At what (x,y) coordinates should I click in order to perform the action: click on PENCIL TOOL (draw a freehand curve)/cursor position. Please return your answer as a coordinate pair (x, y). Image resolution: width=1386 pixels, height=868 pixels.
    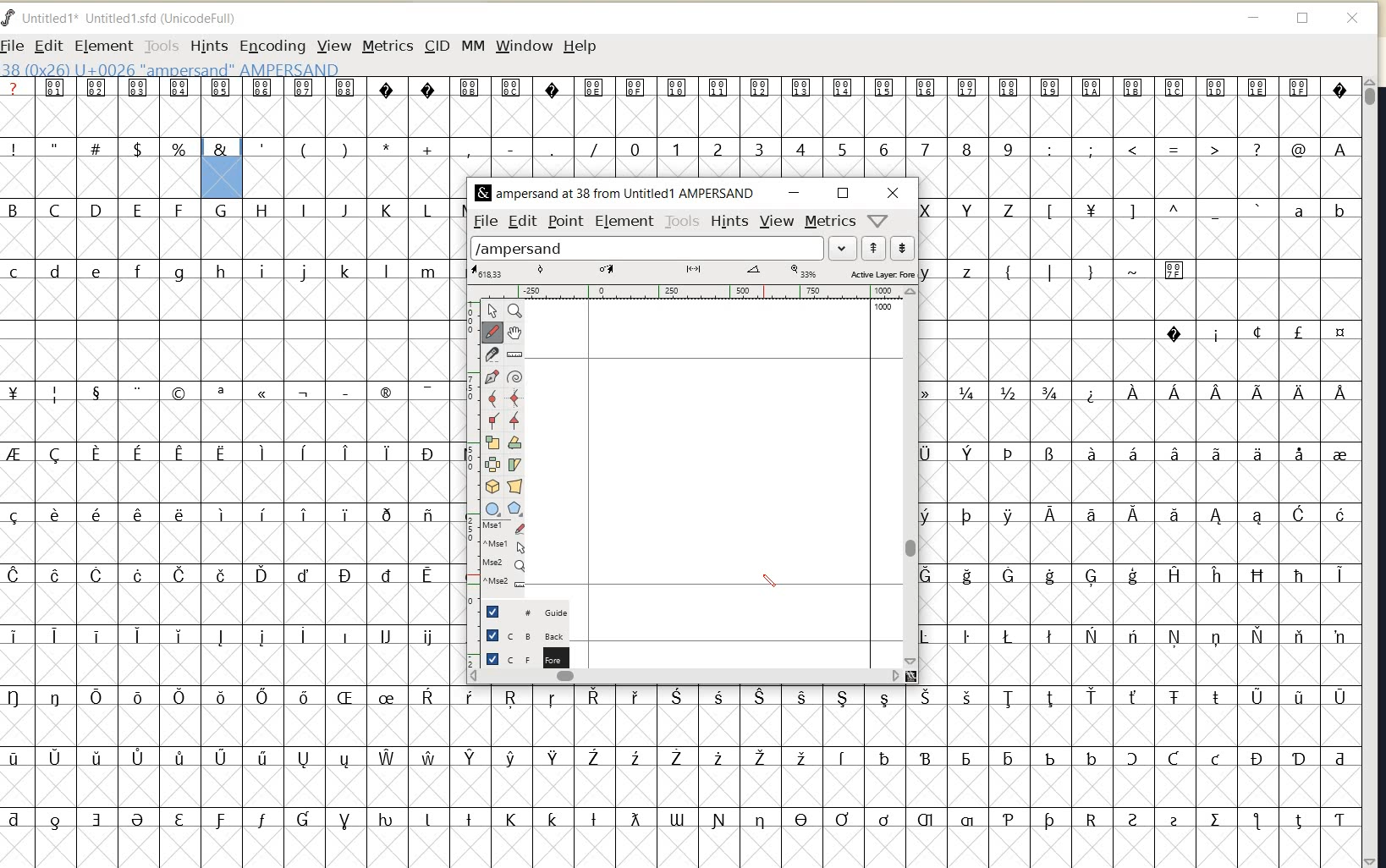
    Looking at the image, I should click on (769, 581).